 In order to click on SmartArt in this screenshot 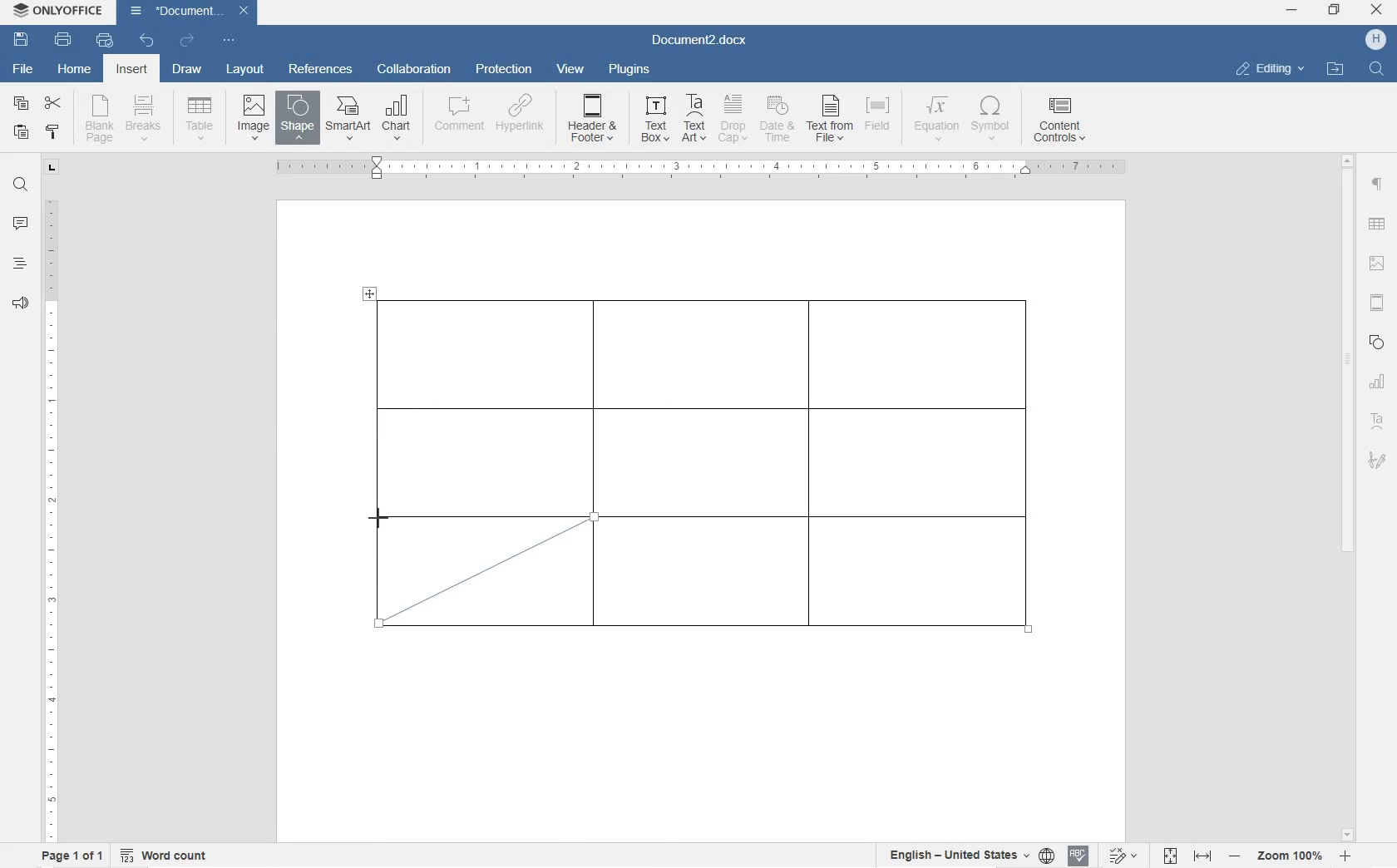, I will do `click(348, 118)`.